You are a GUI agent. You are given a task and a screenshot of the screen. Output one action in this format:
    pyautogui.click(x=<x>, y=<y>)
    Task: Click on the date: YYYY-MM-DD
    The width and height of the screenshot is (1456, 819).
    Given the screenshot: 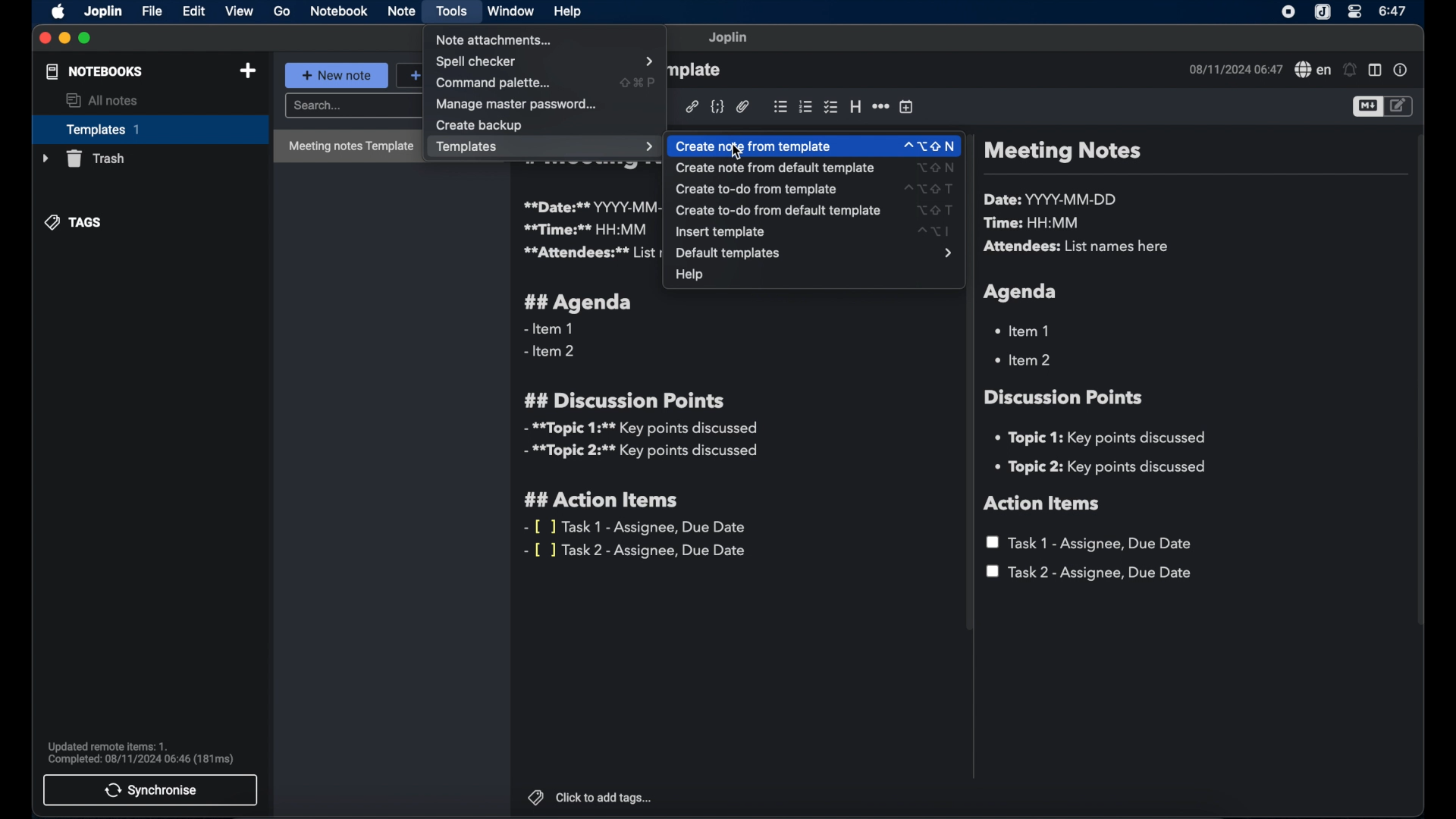 What is the action you would take?
    pyautogui.click(x=1053, y=199)
    